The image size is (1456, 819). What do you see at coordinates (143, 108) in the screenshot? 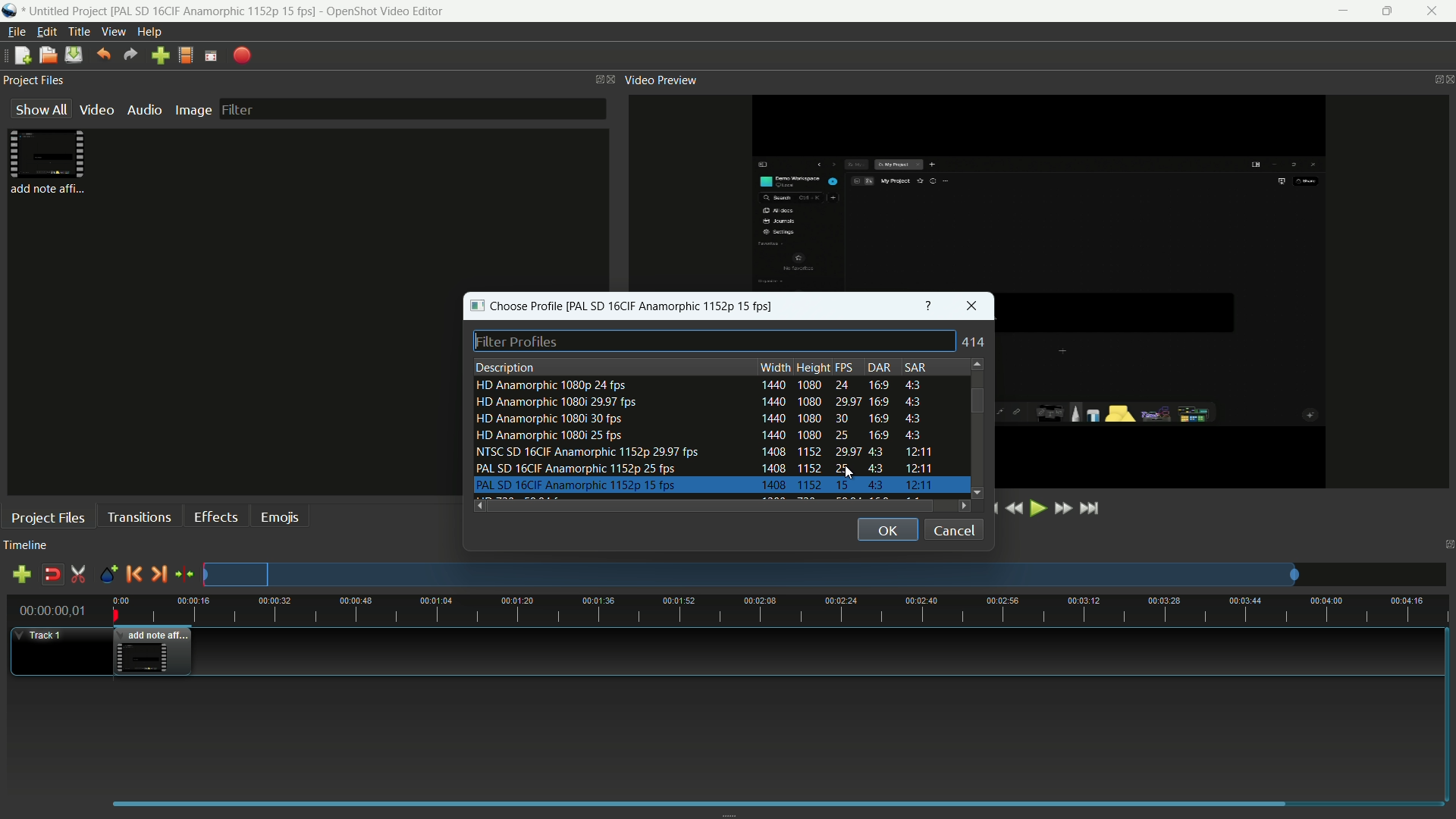
I see `audio` at bounding box center [143, 108].